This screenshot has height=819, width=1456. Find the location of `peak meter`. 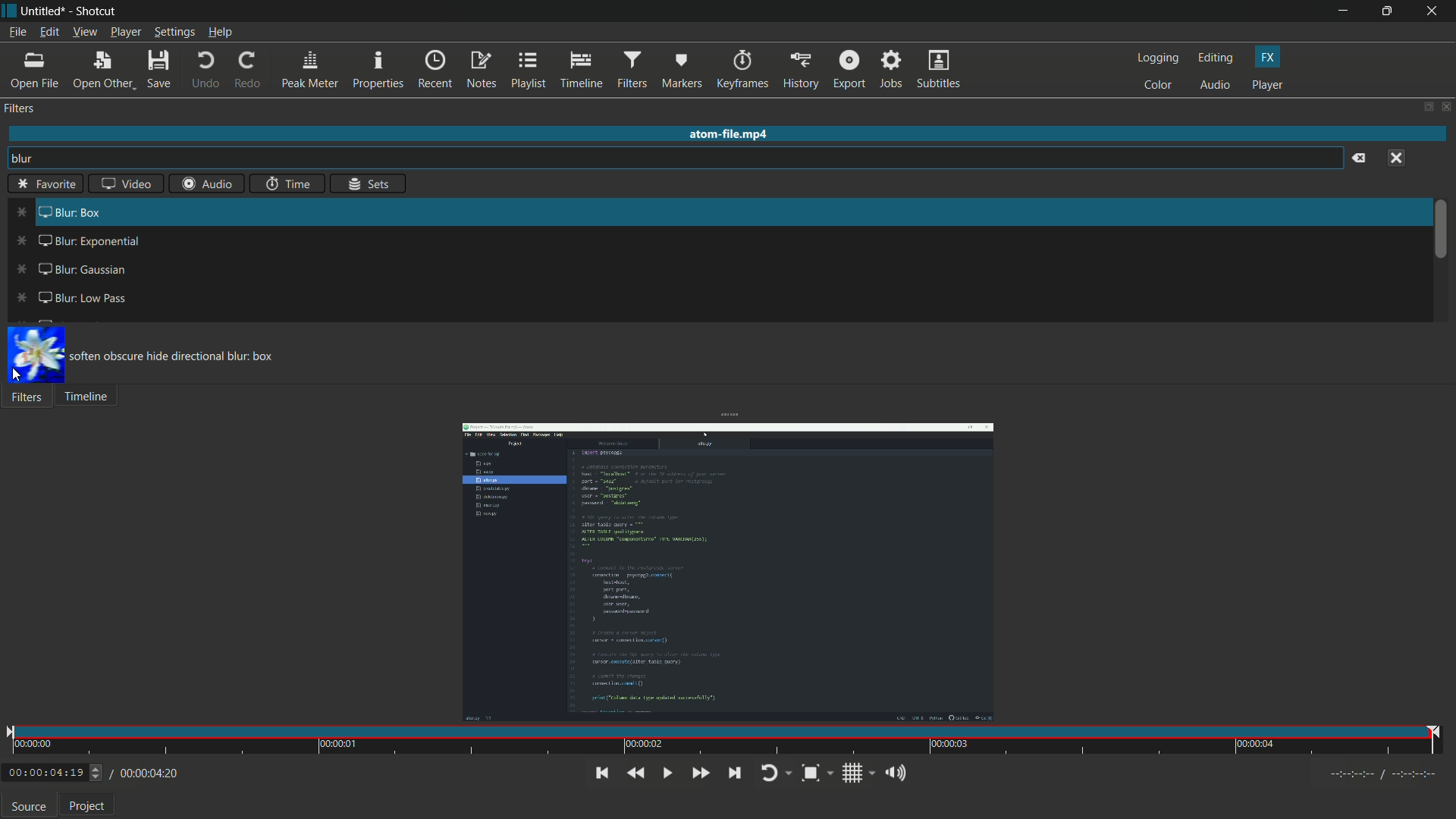

peak meter is located at coordinates (308, 71).